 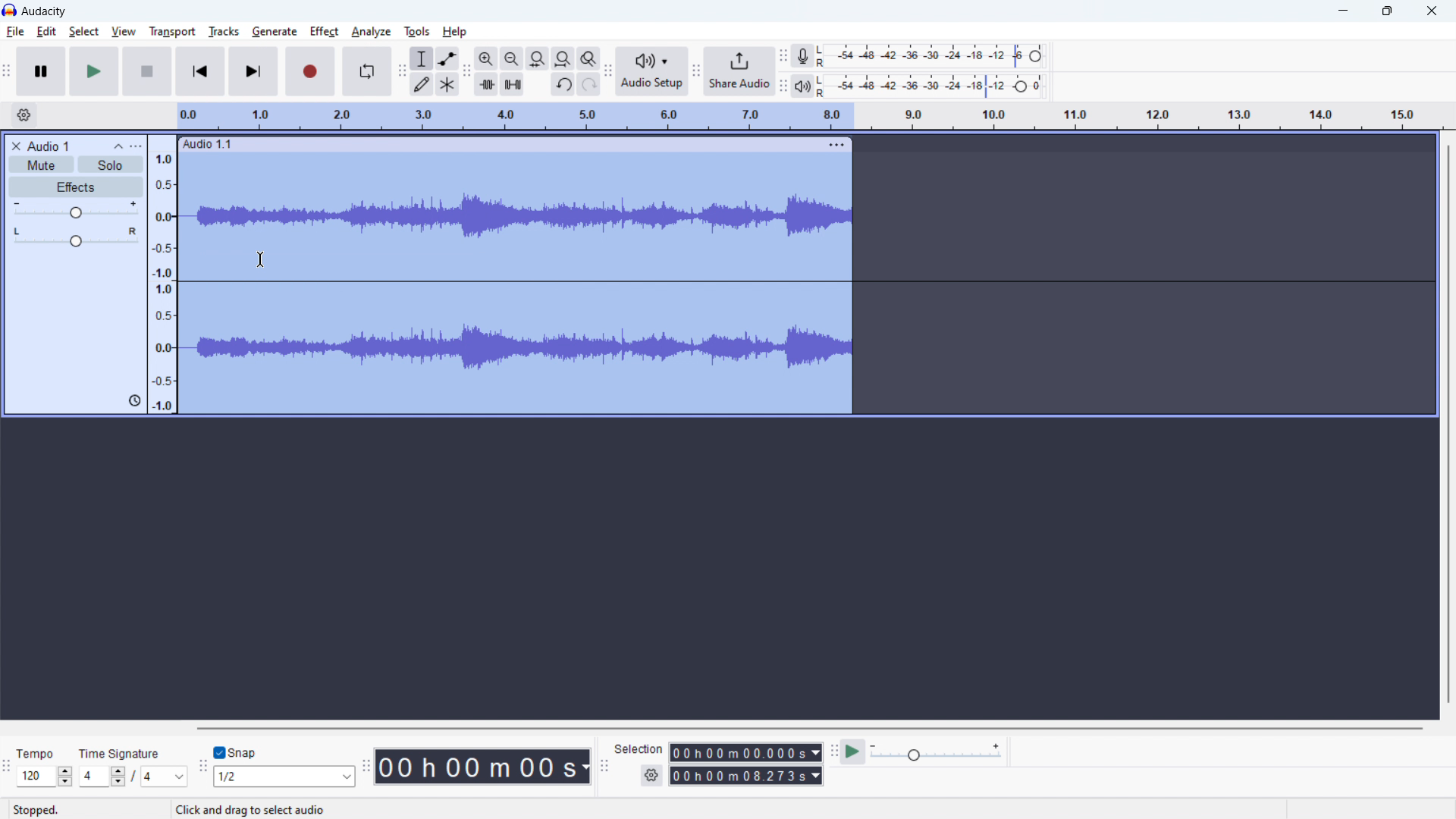 What do you see at coordinates (807, 117) in the screenshot?
I see `timeline` at bounding box center [807, 117].